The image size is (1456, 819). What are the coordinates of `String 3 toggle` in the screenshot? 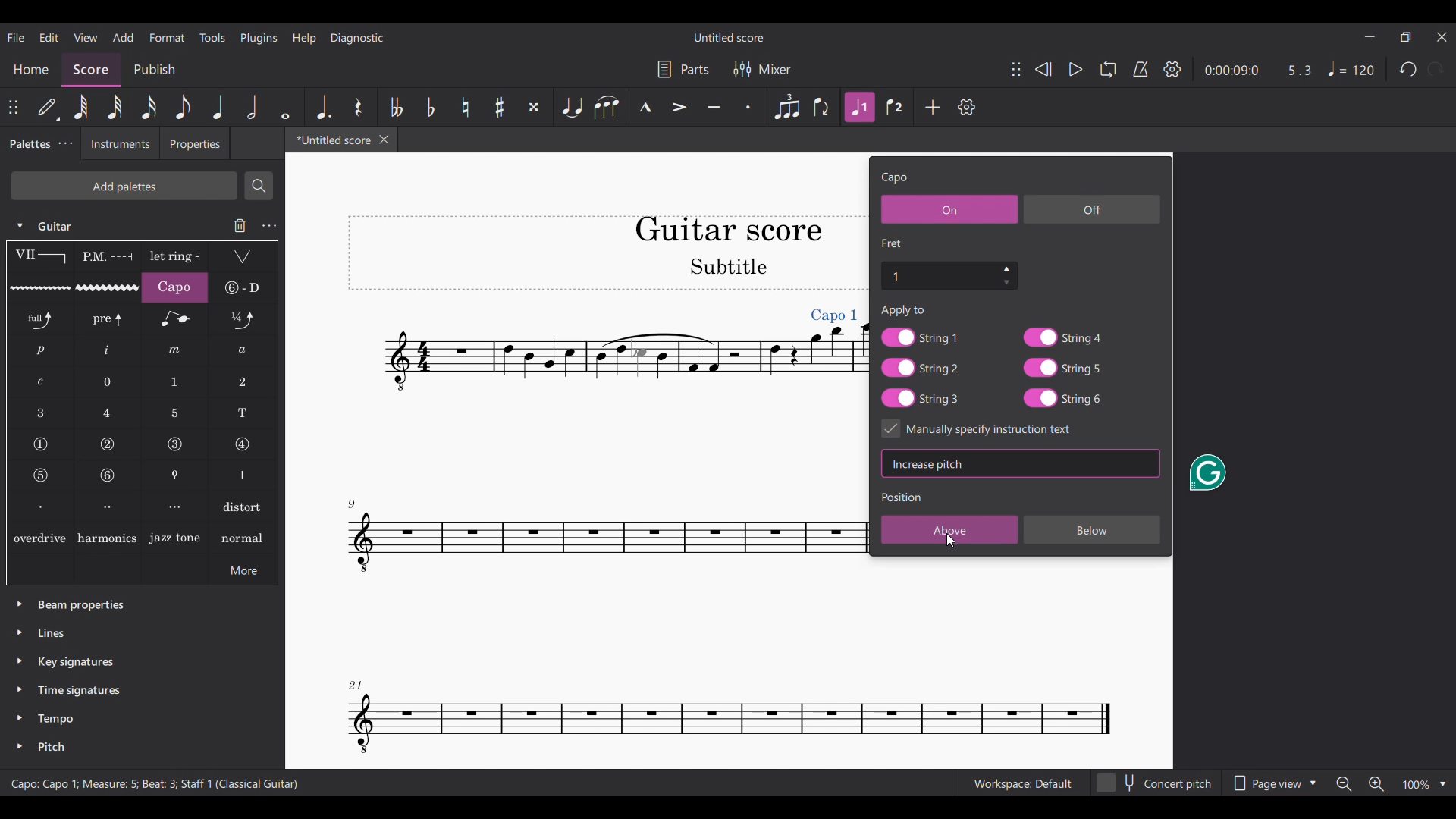 It's located at (920, 398).